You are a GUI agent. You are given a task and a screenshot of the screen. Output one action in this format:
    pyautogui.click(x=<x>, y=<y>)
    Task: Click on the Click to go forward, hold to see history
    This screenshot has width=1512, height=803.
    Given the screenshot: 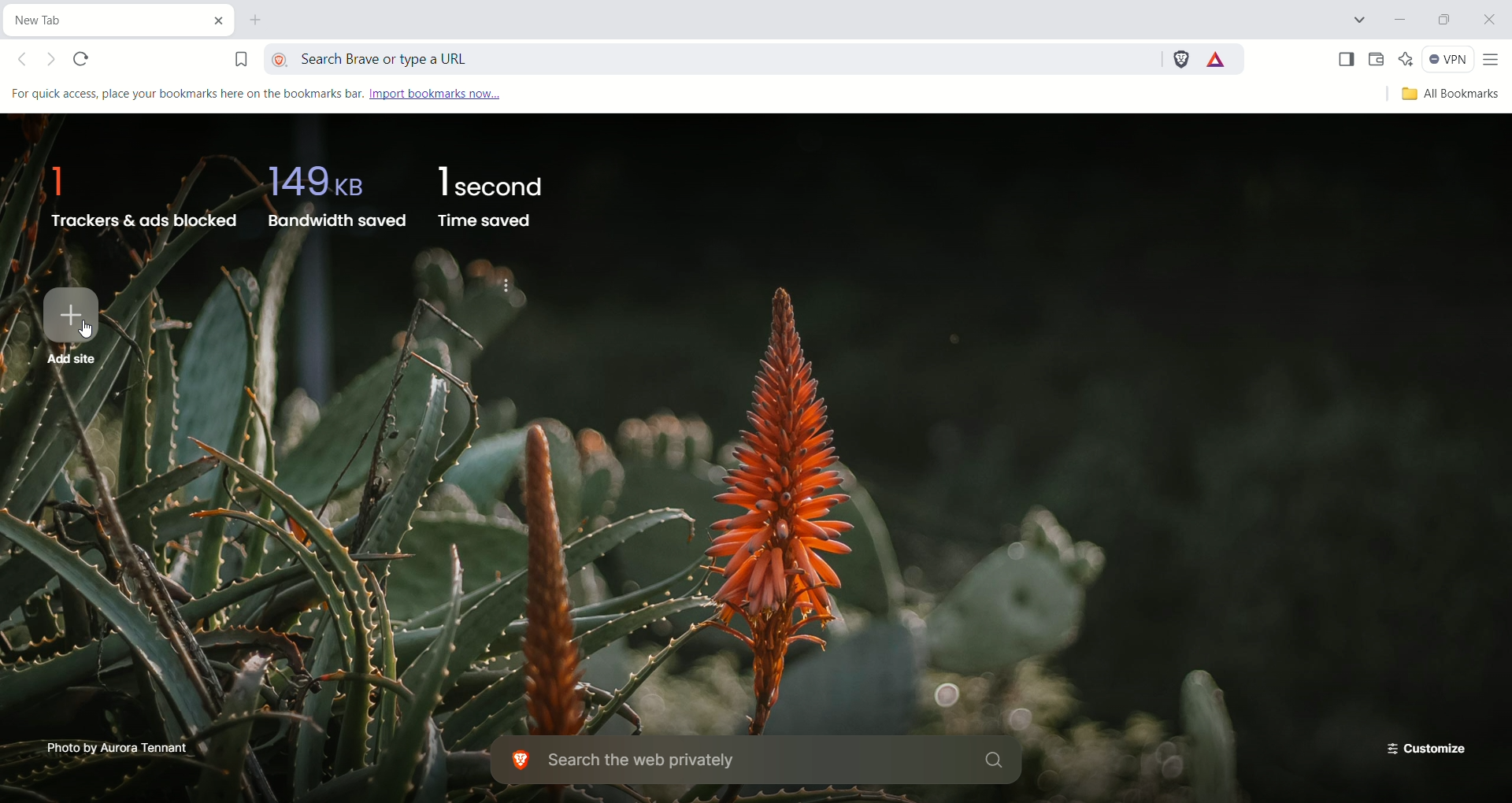 What is the action you would take?
    pyautogui.click(x=54, y=62)
    